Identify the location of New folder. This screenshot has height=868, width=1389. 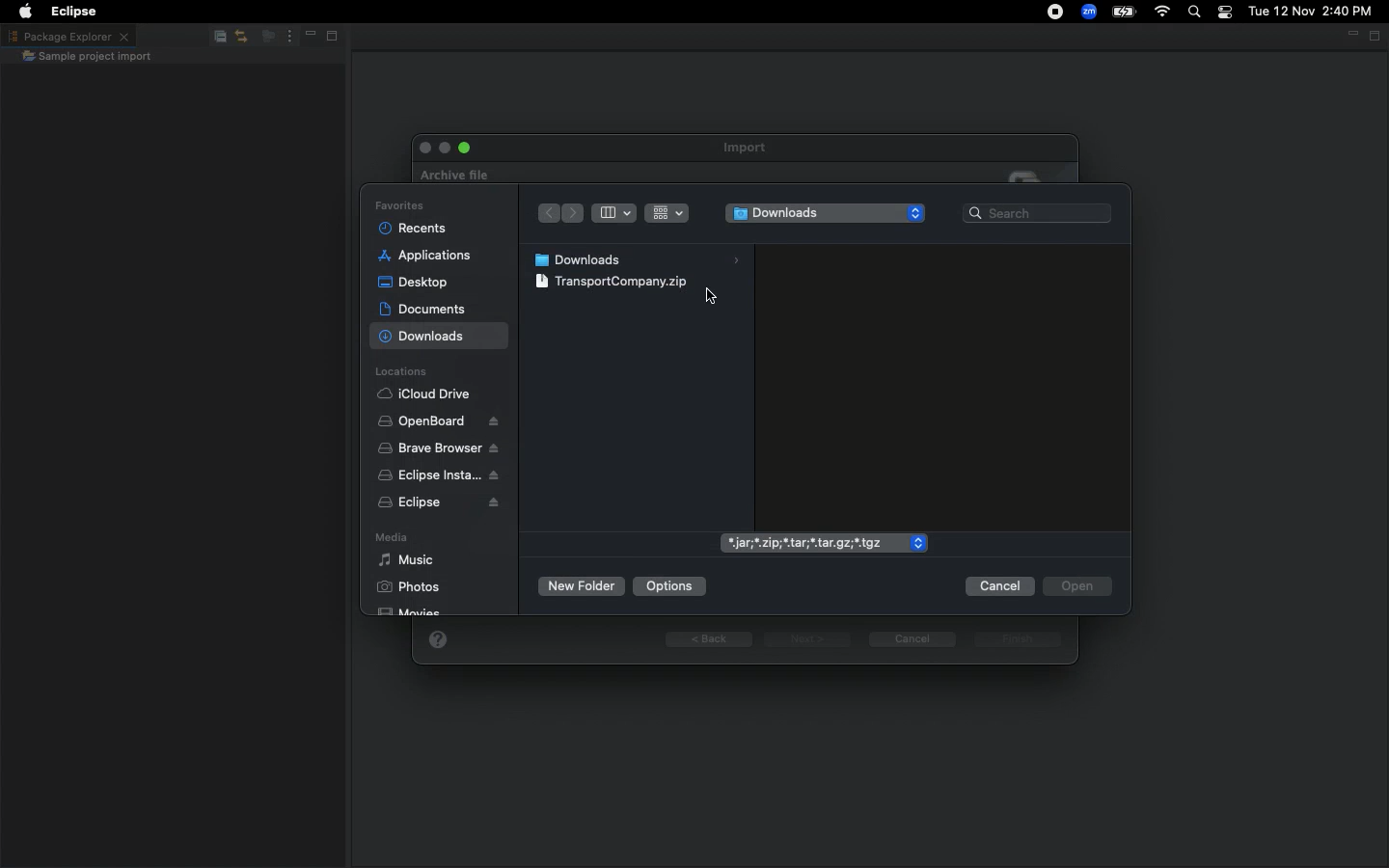
(581, 588).